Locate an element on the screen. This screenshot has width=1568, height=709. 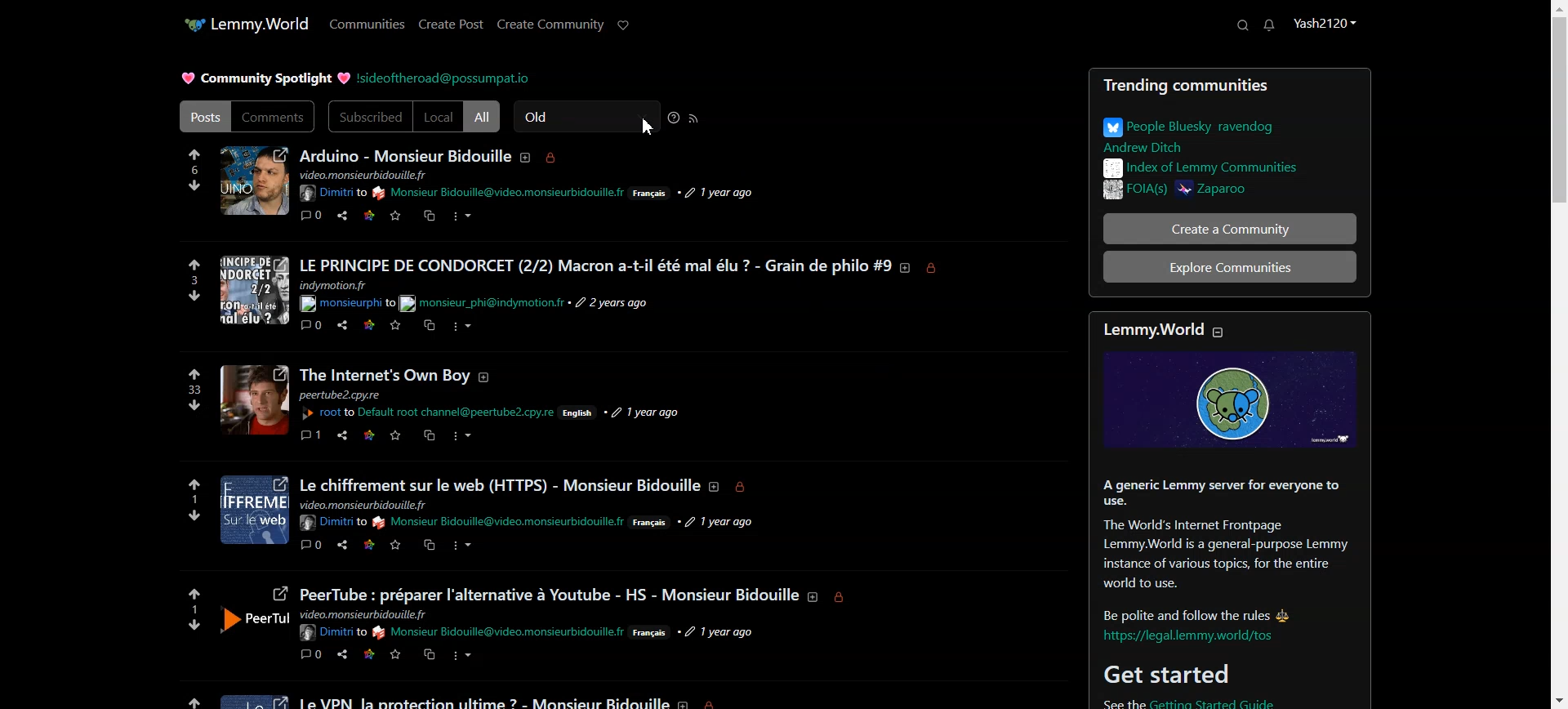
copy is located at coordinates (428, 326).